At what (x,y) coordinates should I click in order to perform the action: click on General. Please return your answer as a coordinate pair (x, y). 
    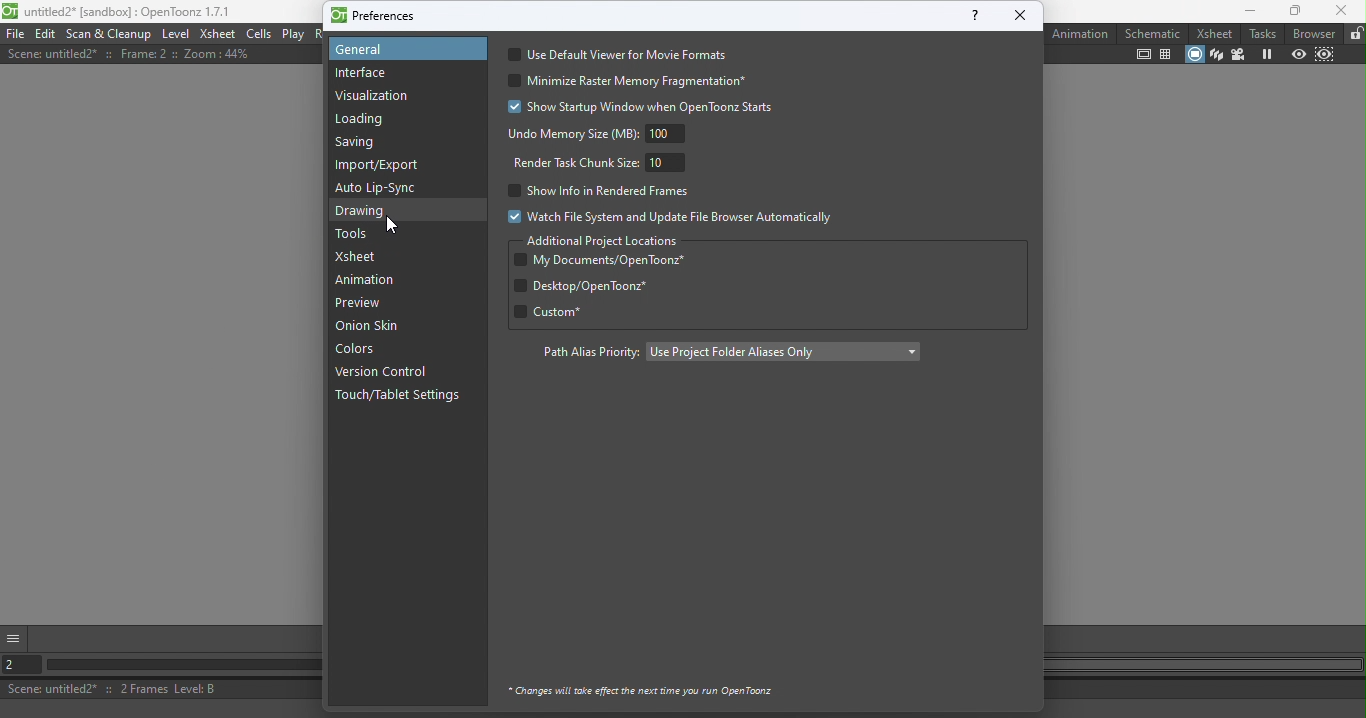
    Looking at the image, I should click on (403, 49).